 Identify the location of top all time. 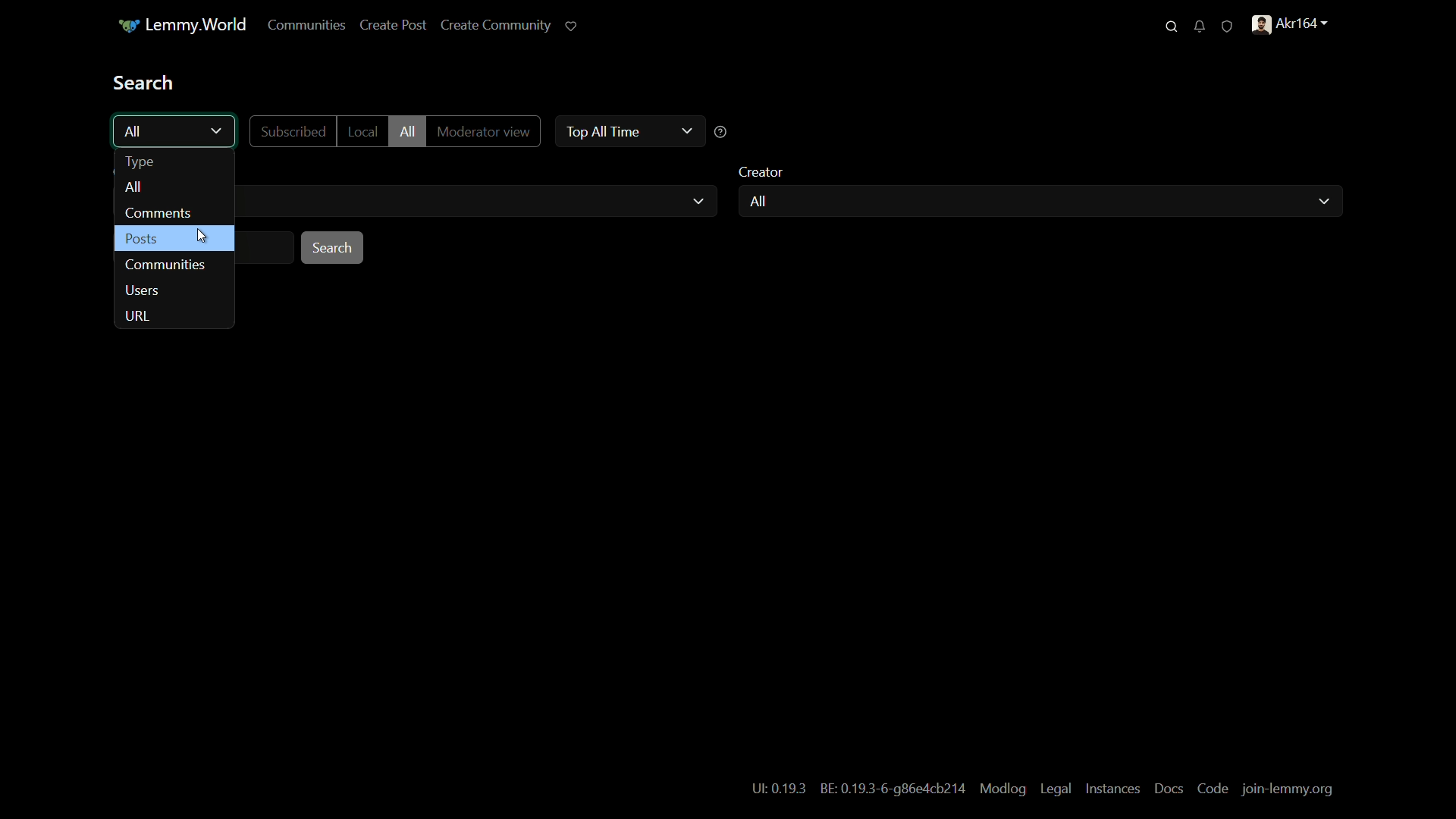
(600, 130).